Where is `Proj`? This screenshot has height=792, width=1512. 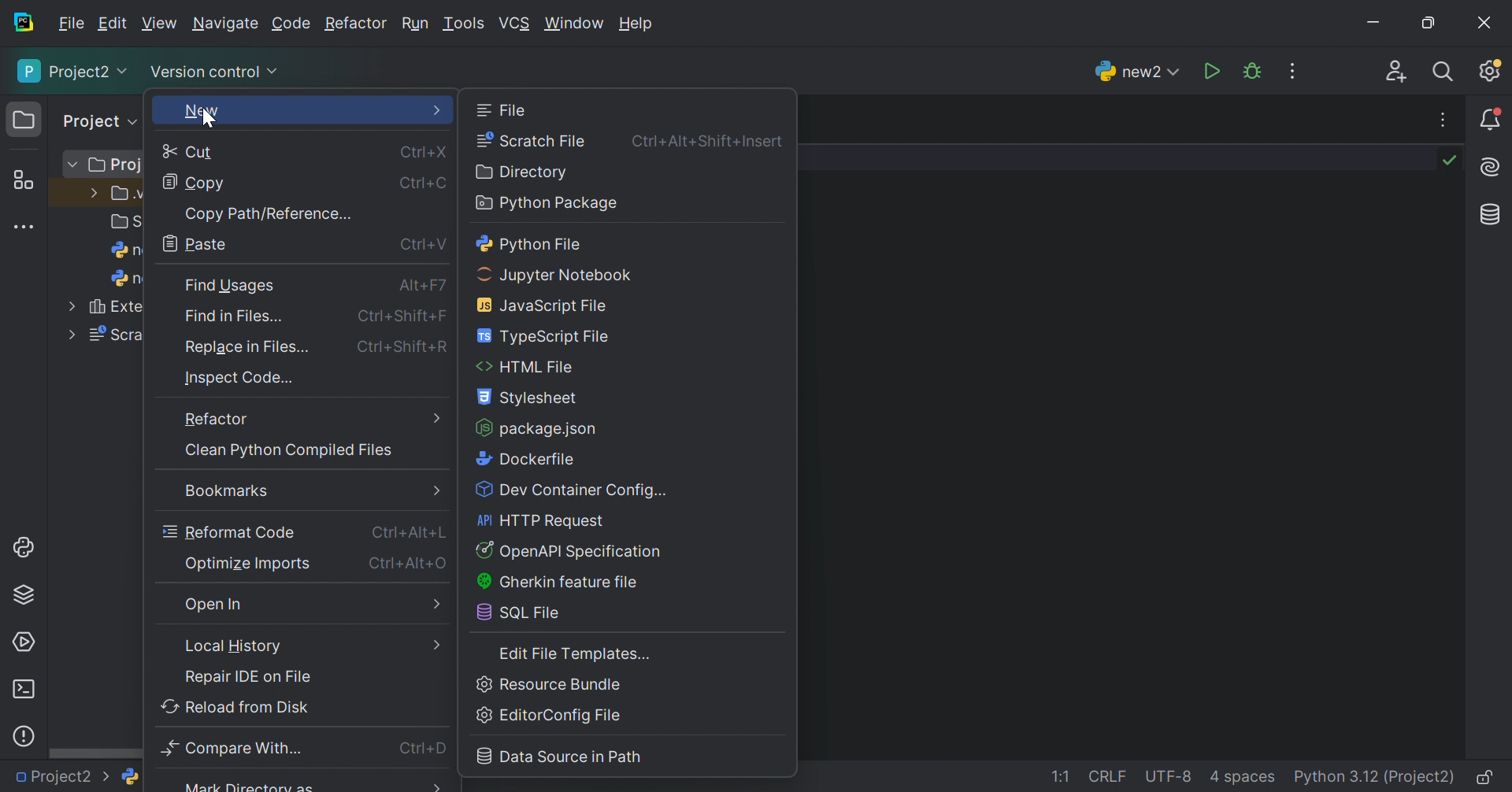
Proj is located at coordinates (118, 165).